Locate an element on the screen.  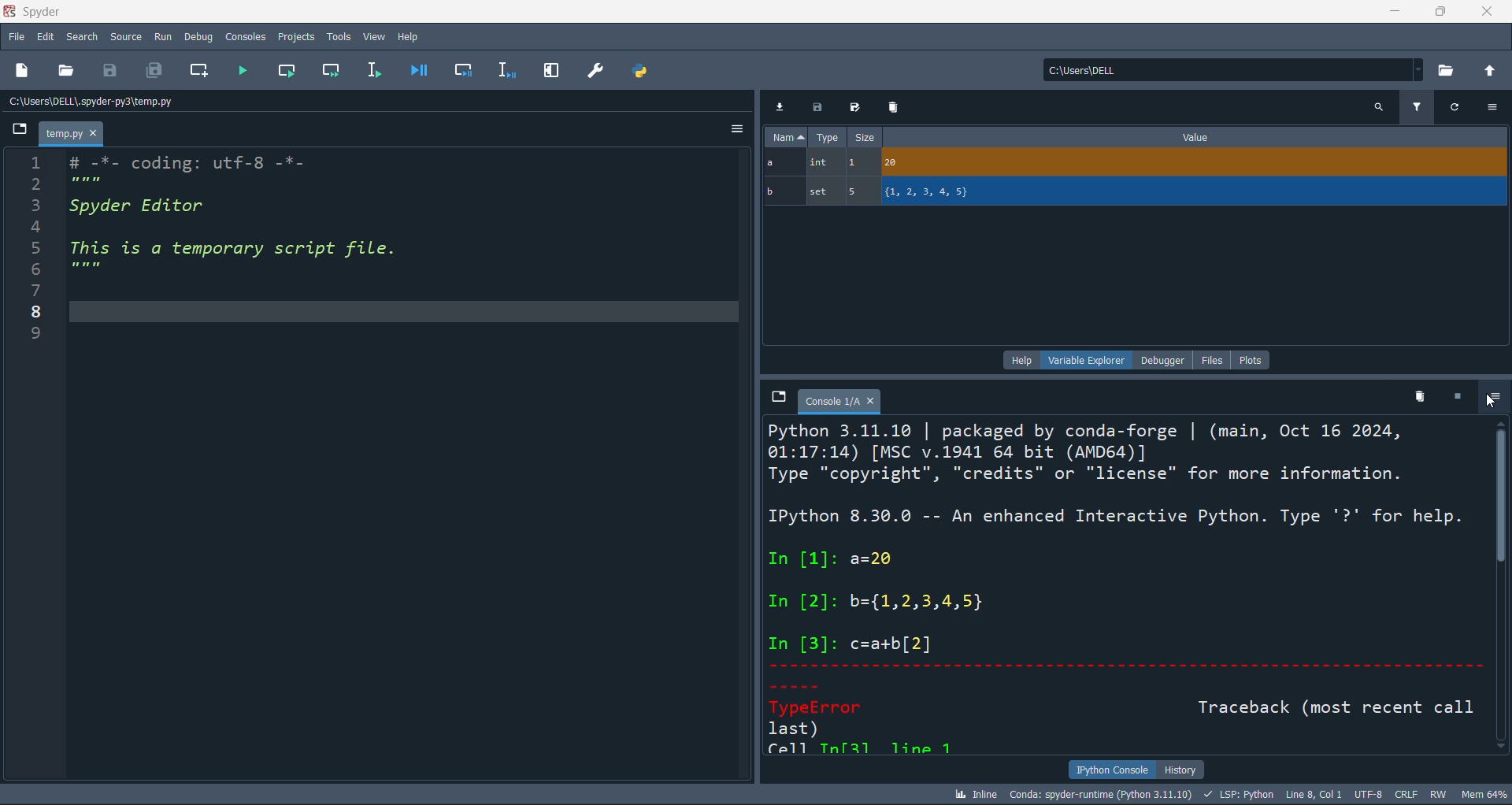
expand pane is located at coordinates (551, 71).